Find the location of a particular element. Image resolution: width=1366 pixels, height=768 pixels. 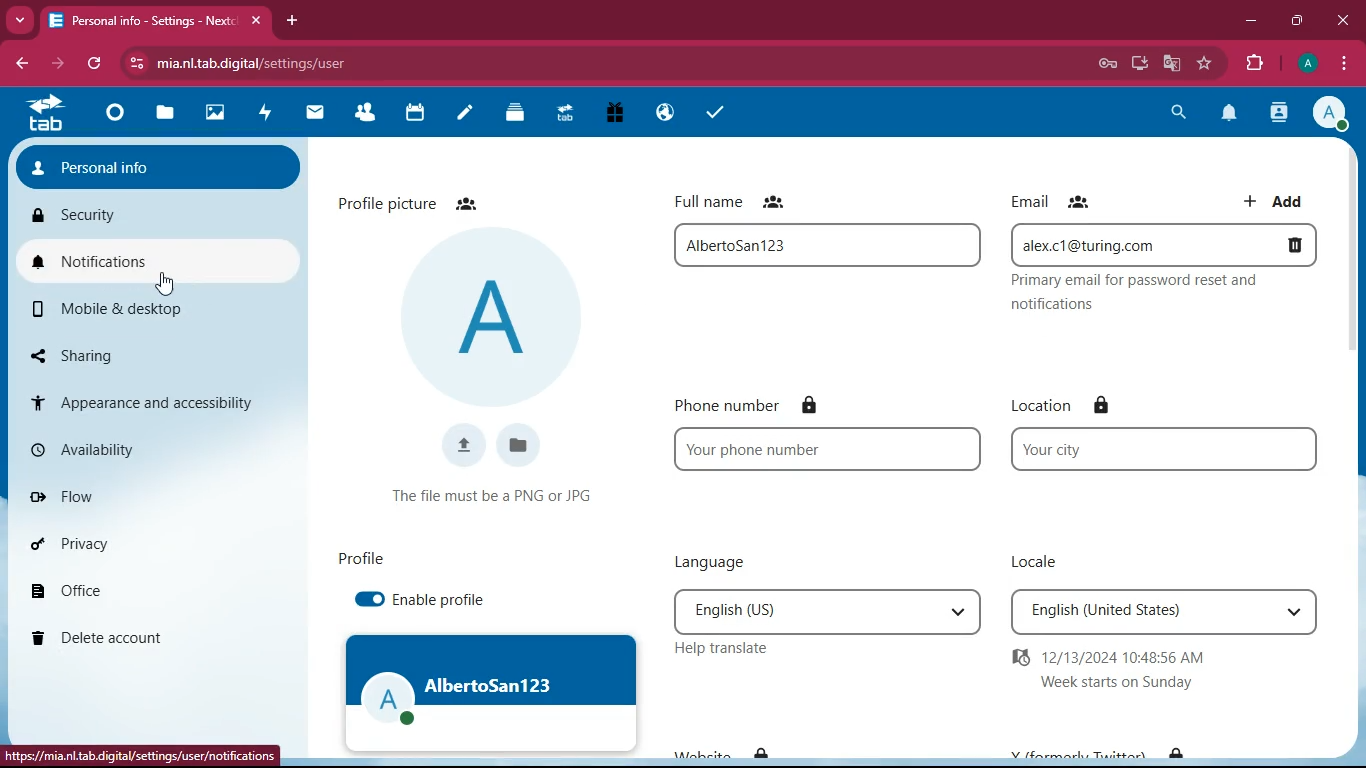

notifications is located at coordinates (157, 262).